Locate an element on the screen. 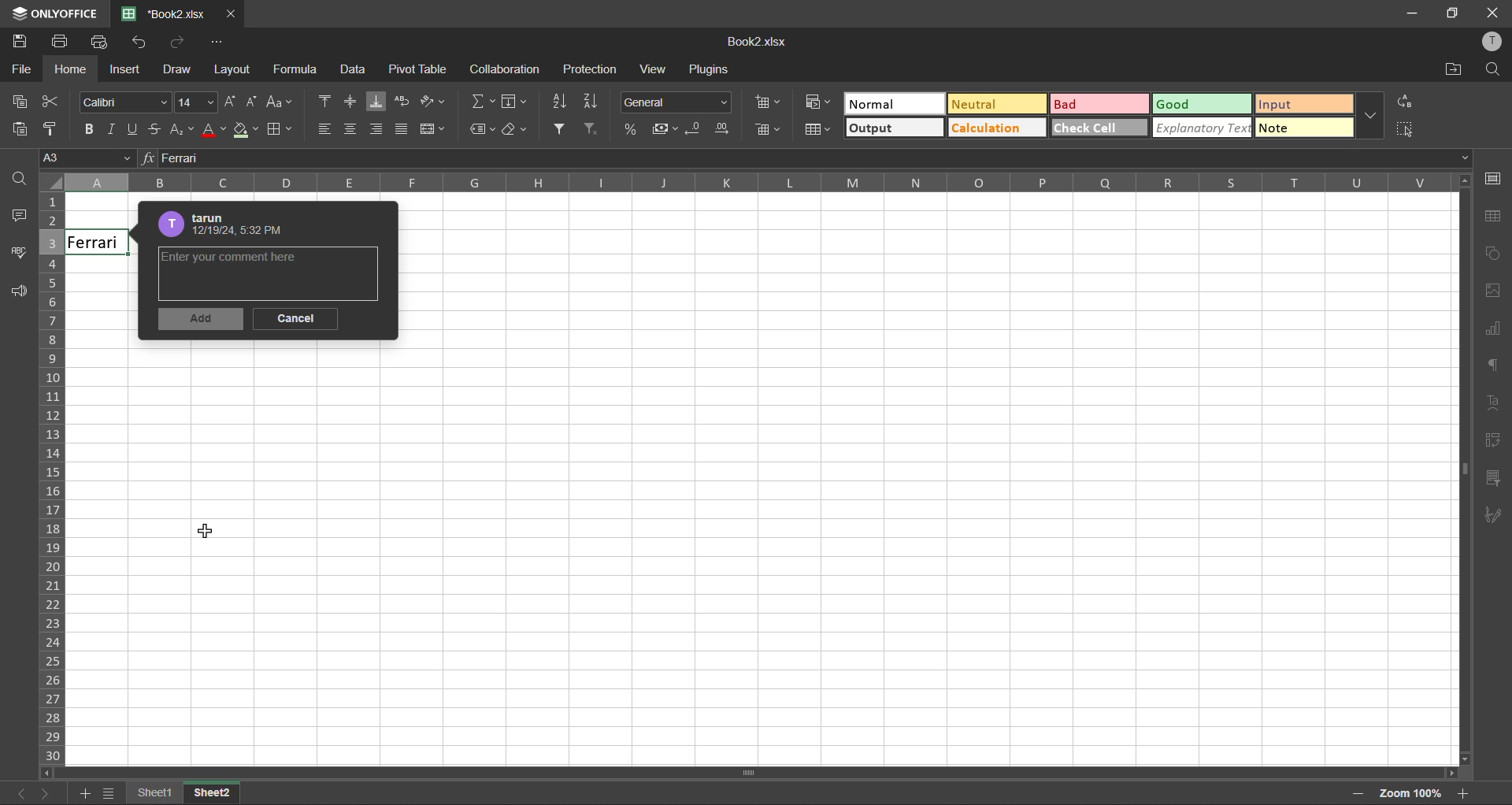  borders is located at coordinates (280, 132).